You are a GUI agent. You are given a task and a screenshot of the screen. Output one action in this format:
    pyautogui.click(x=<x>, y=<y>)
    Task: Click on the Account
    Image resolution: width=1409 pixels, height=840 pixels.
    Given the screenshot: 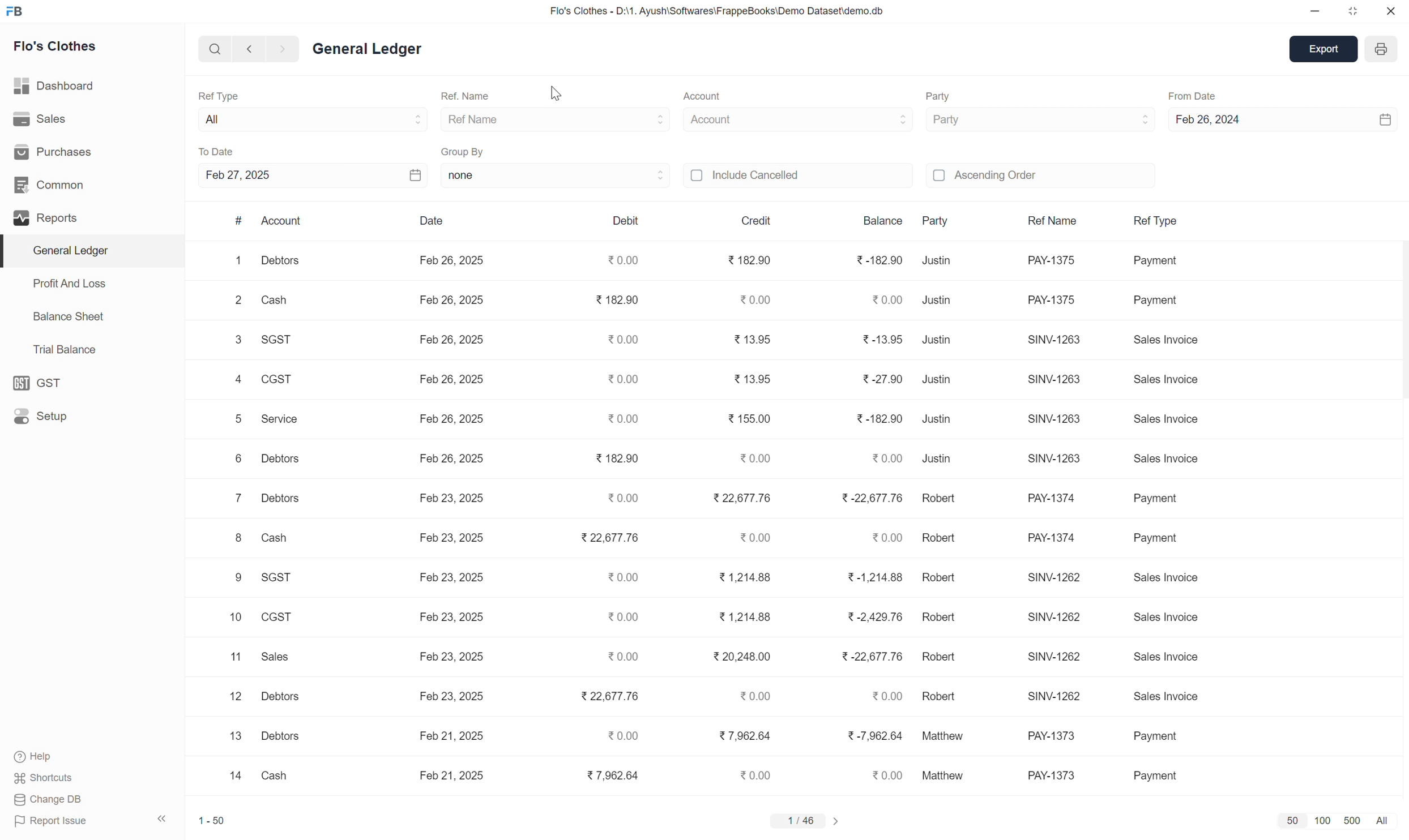 What is the action you would take?
    pyautogui.click(x=704, y=97)
    